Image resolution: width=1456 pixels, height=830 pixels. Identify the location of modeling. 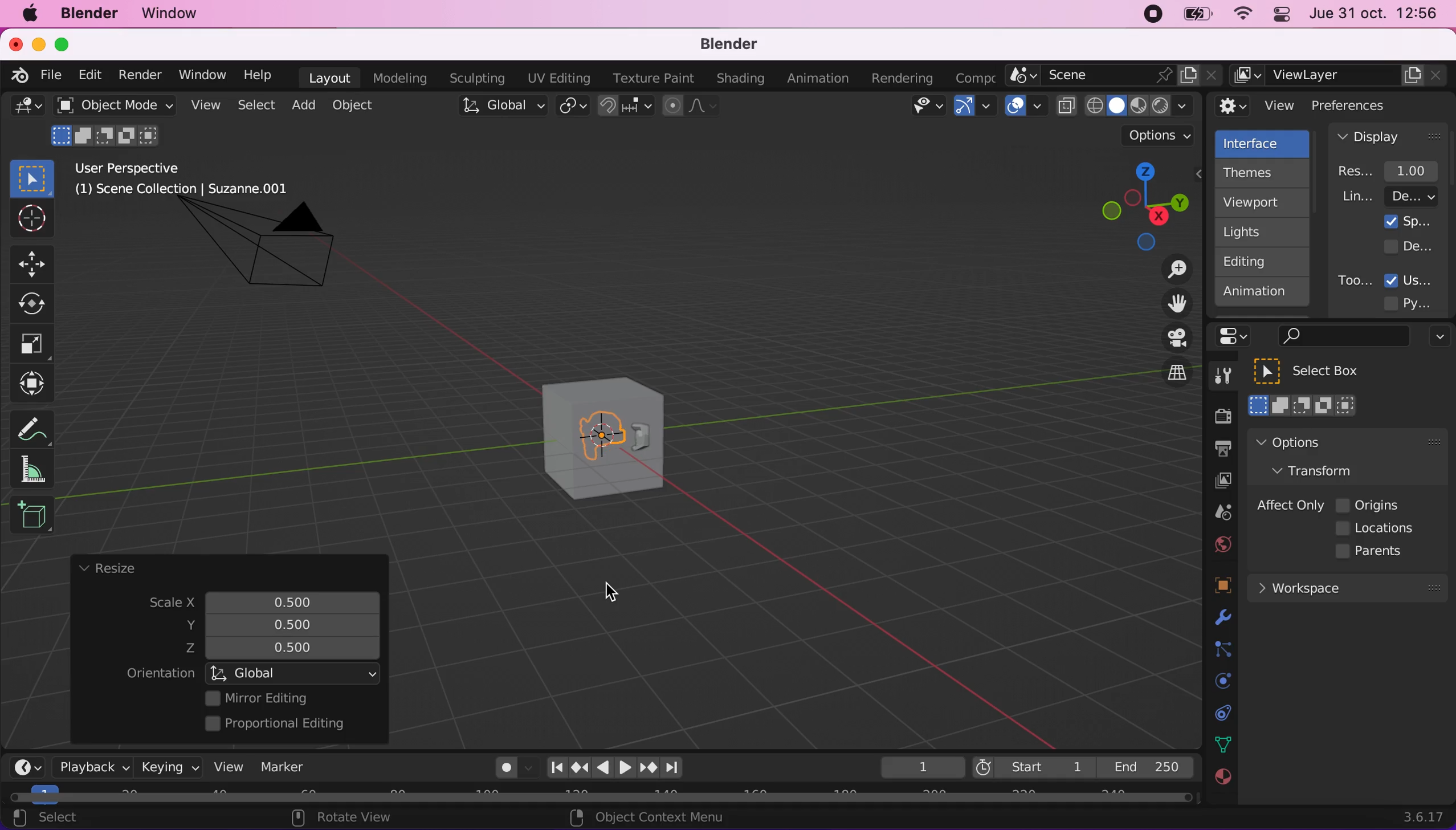
(398, 79).